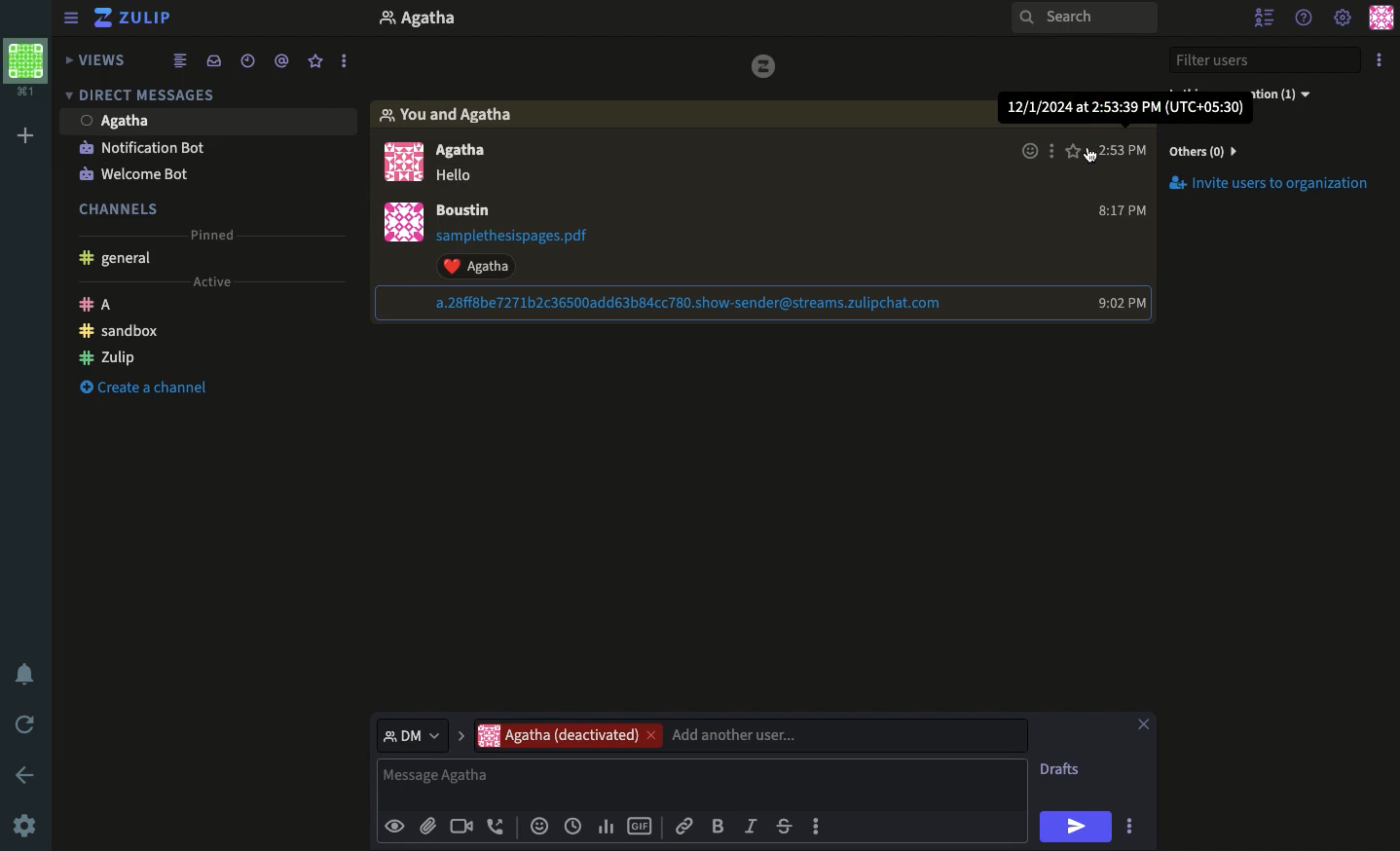 This screenshot has width=1400, height=851. Describe the element at coordinates (685, 828) in the screenshot. I see `Link` at that location.